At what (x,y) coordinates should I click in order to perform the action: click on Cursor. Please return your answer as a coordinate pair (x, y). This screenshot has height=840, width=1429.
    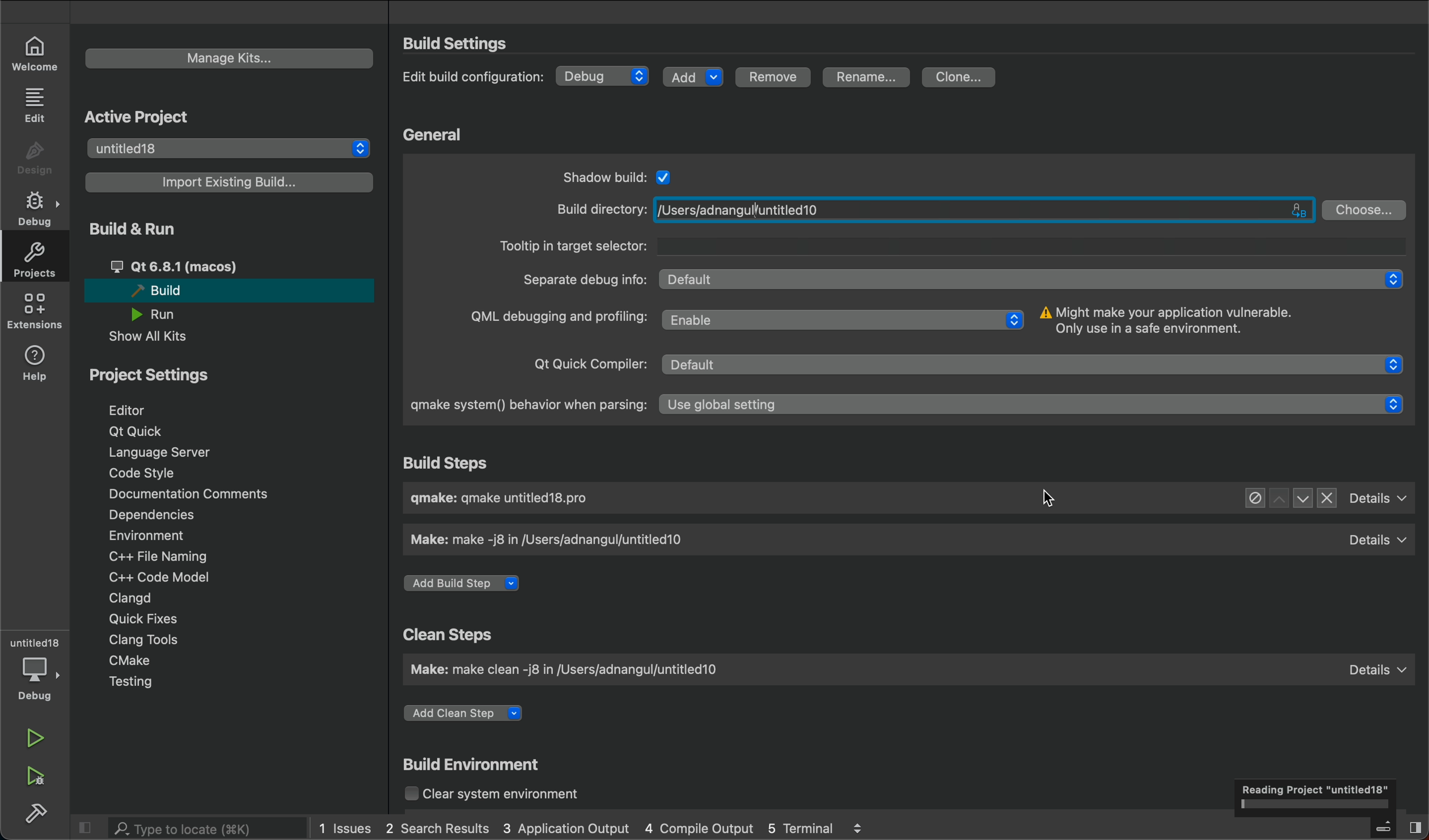
    Looking at the image, I should click on (1047, 502).